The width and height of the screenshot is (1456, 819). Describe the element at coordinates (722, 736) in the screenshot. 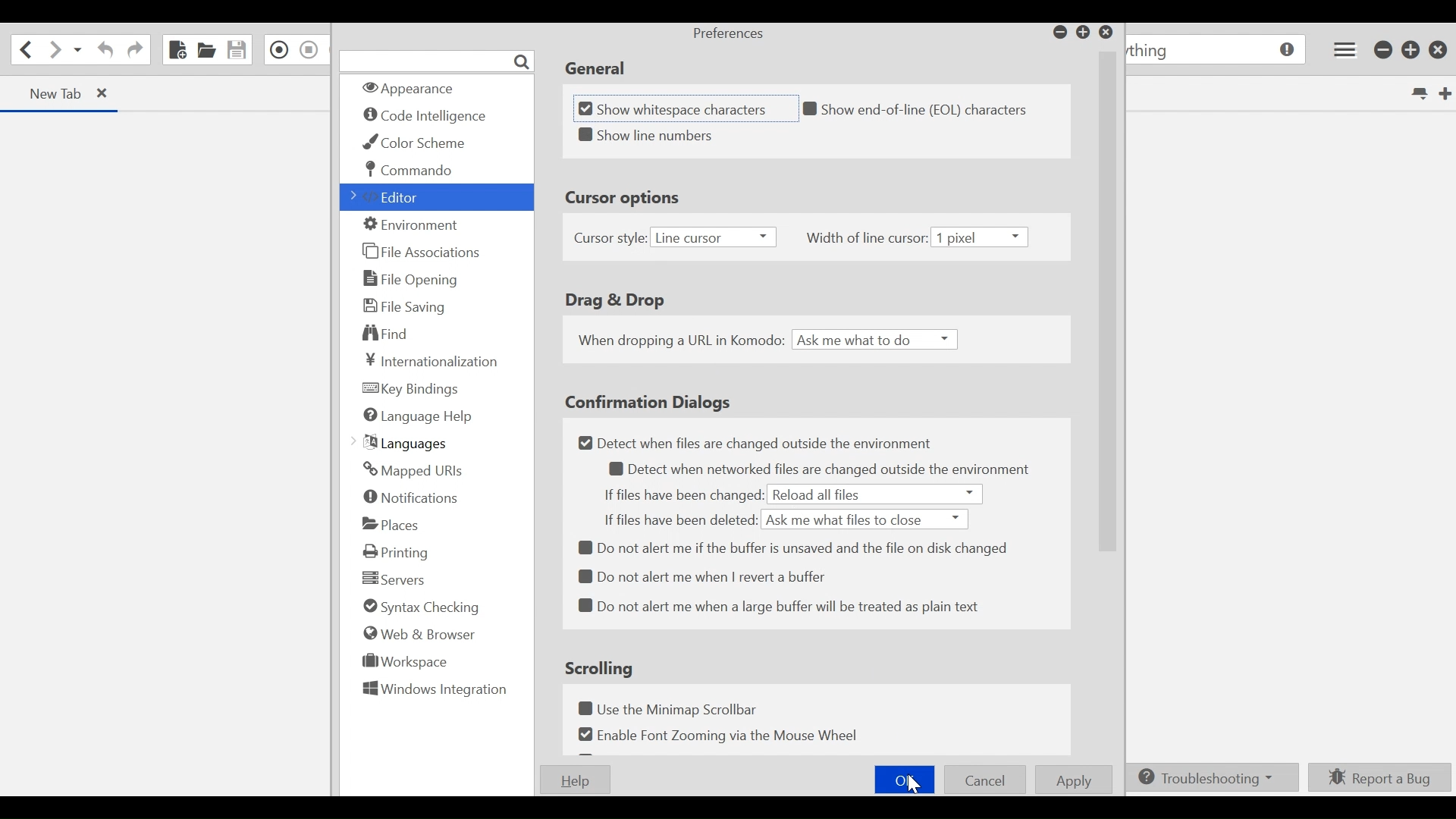

I see `Enable Font Zooming via the Mouse Wheel` at that location.